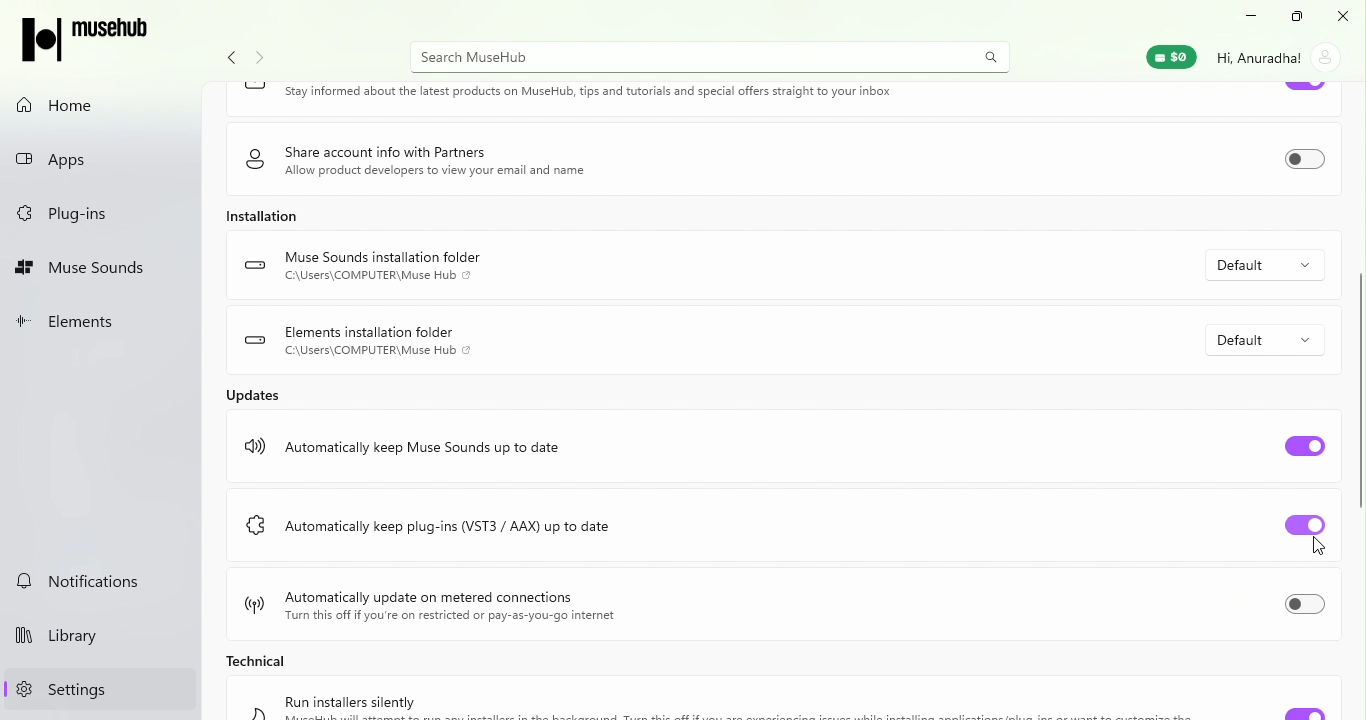  What do you see at coordinates (102, 637) in the screenshot?
I see `Library` at bounding box center [102, 637].